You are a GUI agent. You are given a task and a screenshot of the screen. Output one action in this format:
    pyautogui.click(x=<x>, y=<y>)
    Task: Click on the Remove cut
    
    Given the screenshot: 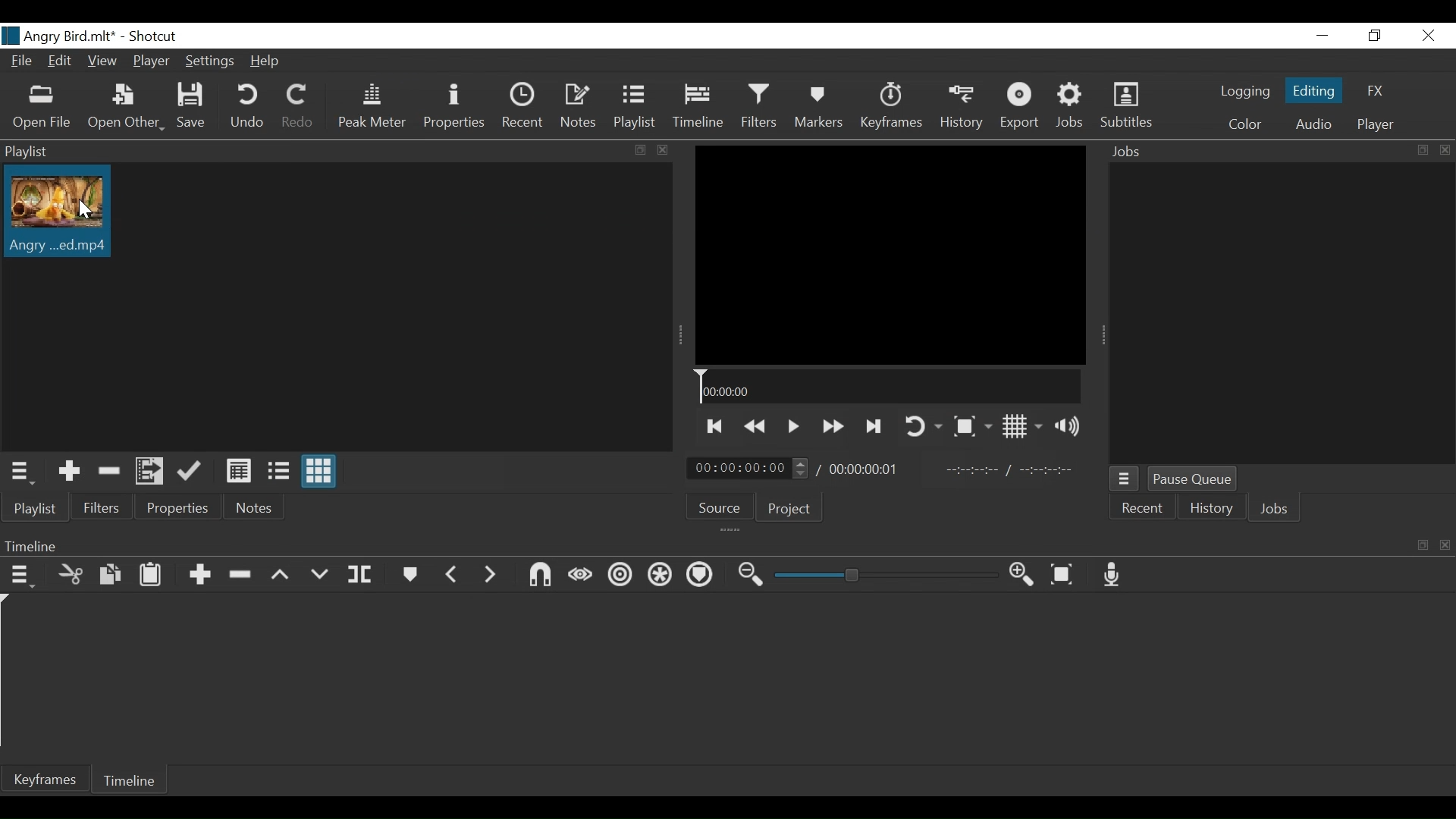 What is the action you would take?
    pyautogui.click(x=105, y=471)
    